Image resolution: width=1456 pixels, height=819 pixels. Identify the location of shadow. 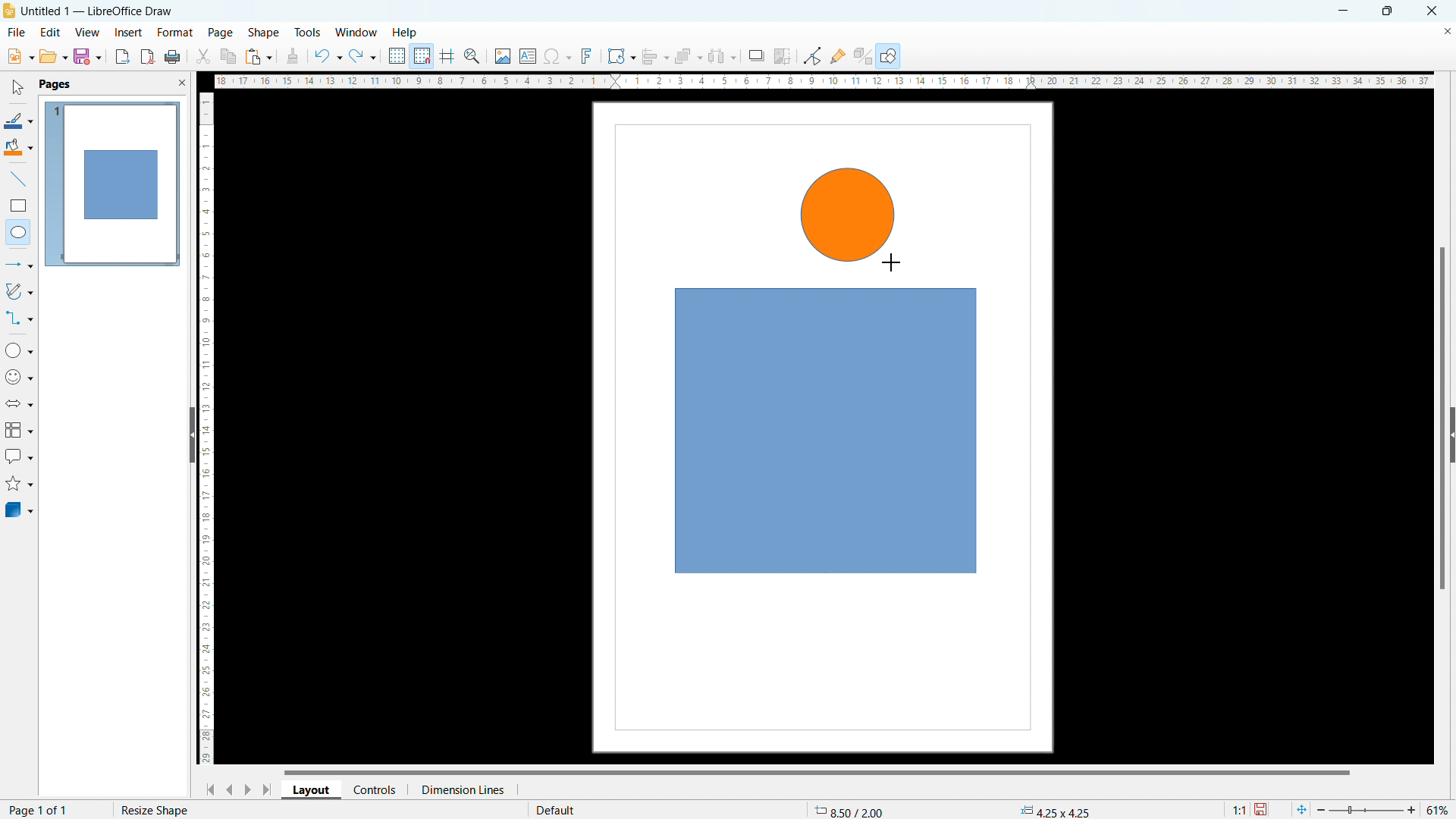
(755, 56).